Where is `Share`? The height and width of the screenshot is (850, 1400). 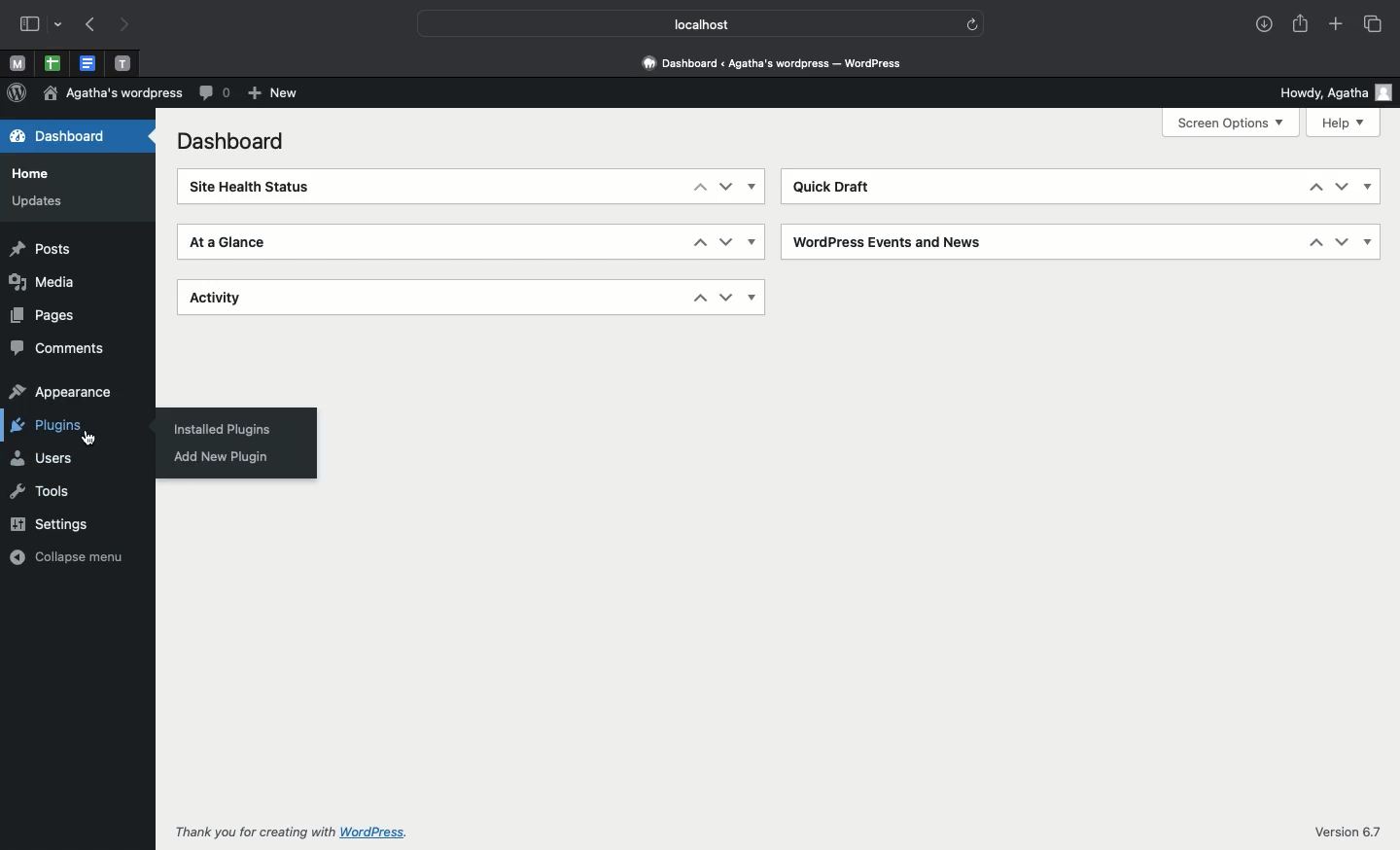 Share is located at coordinates (1302, 25).